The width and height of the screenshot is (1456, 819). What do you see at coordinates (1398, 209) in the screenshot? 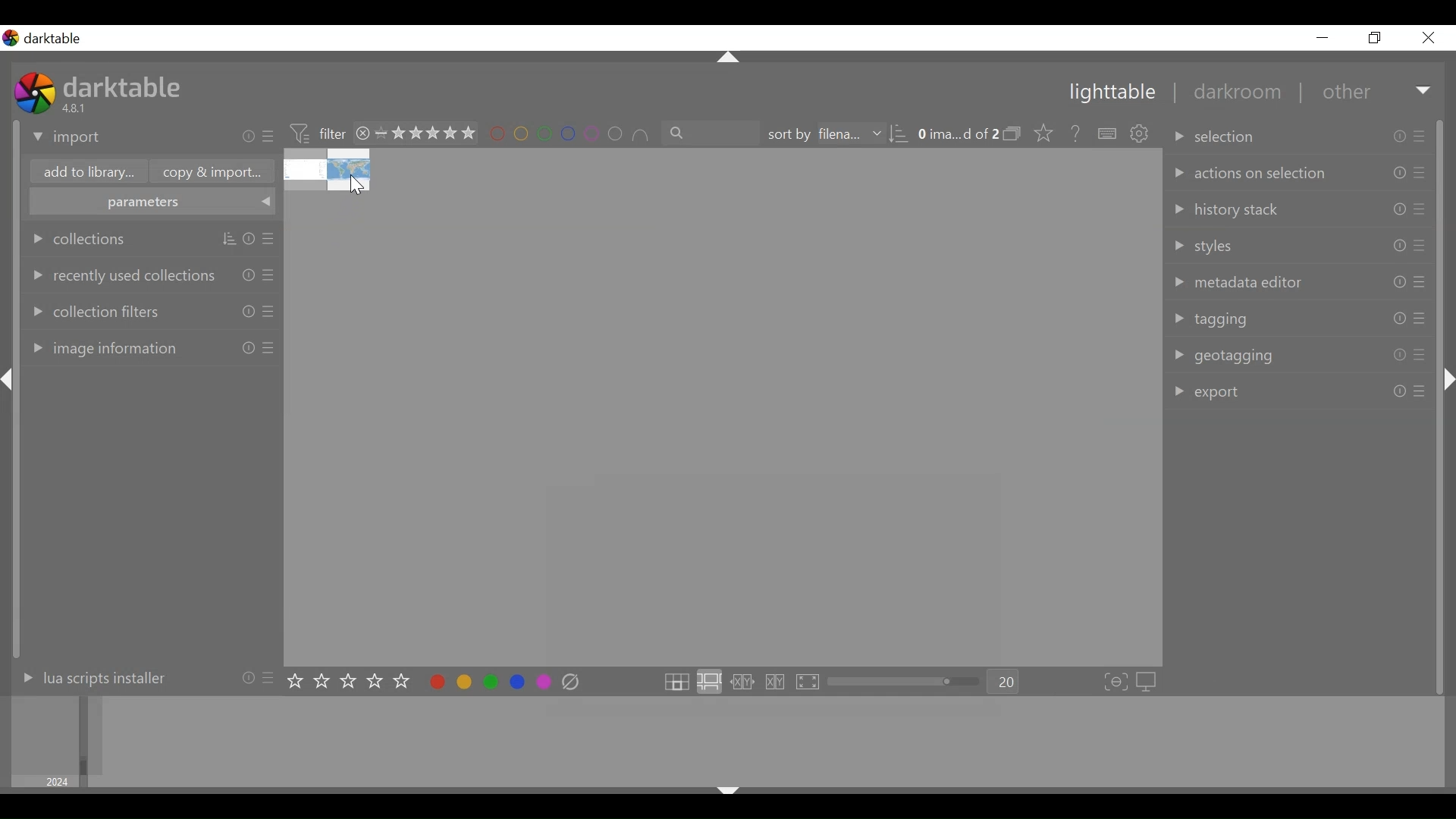
I see `` at bounding box center [1398, 209].